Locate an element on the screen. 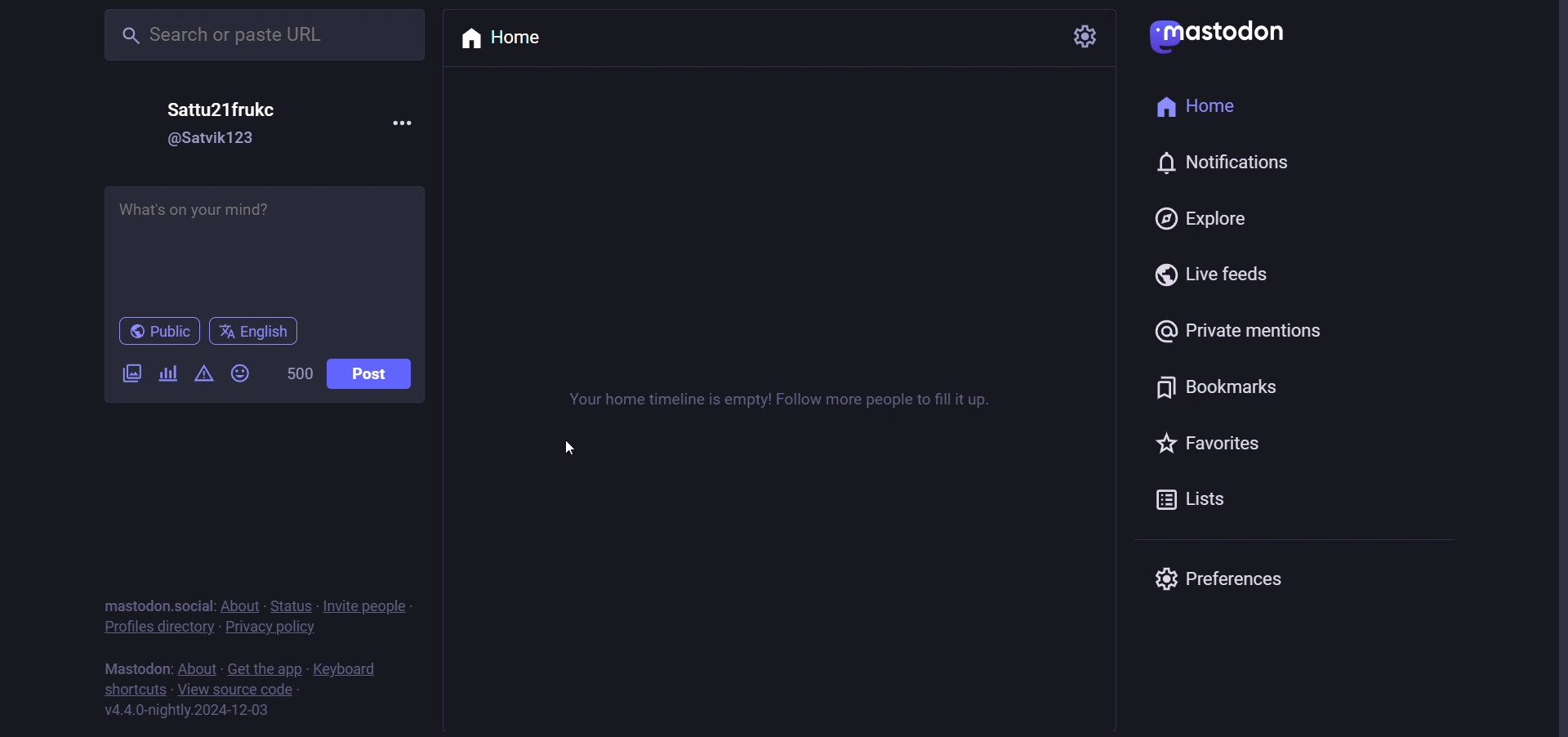  explore is located at coordinates (1203, 217).